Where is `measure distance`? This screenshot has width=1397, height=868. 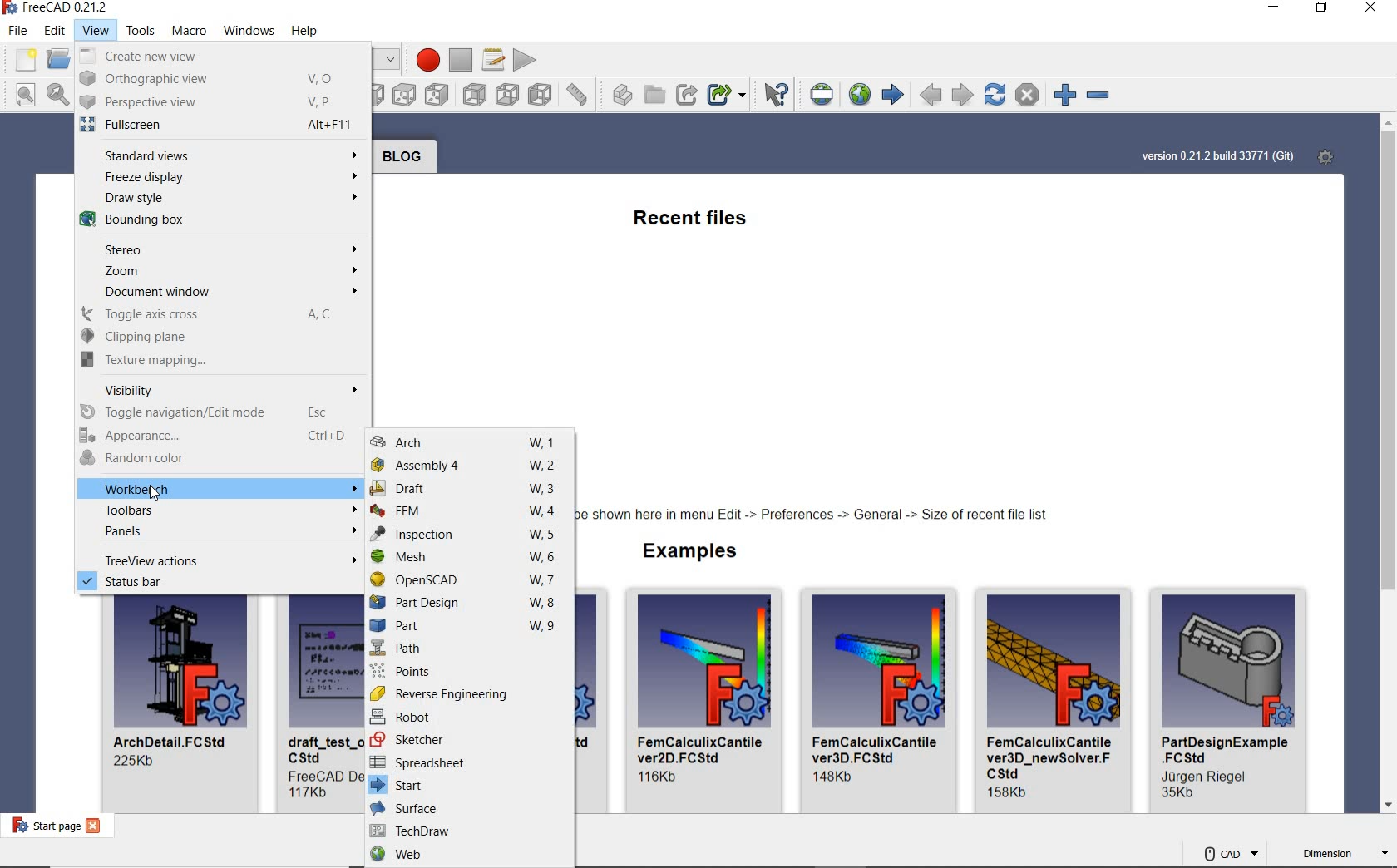
measure distance is located at coordinates (577, 94).